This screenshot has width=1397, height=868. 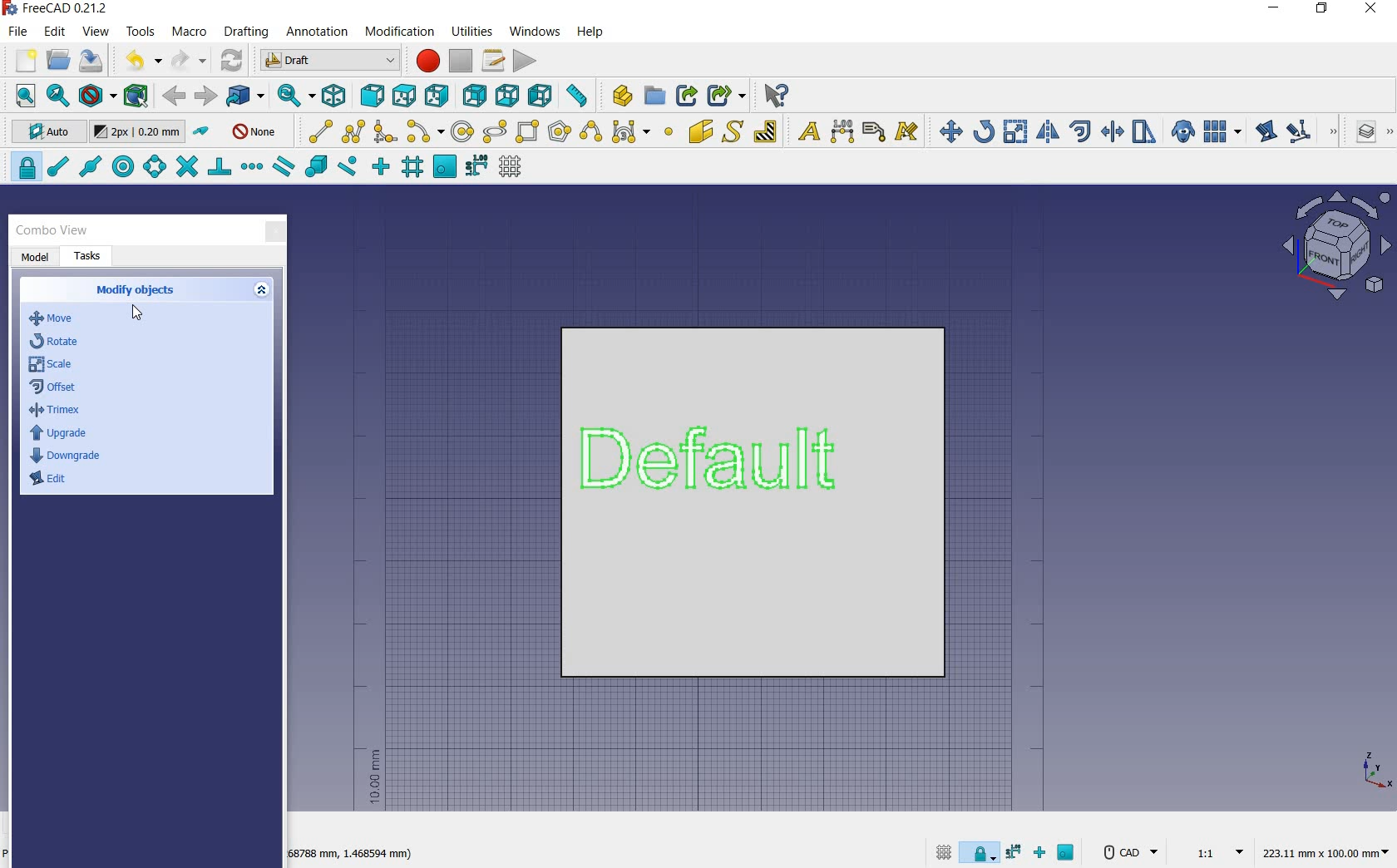 I want to click on redo, so click(x=189, y=61).